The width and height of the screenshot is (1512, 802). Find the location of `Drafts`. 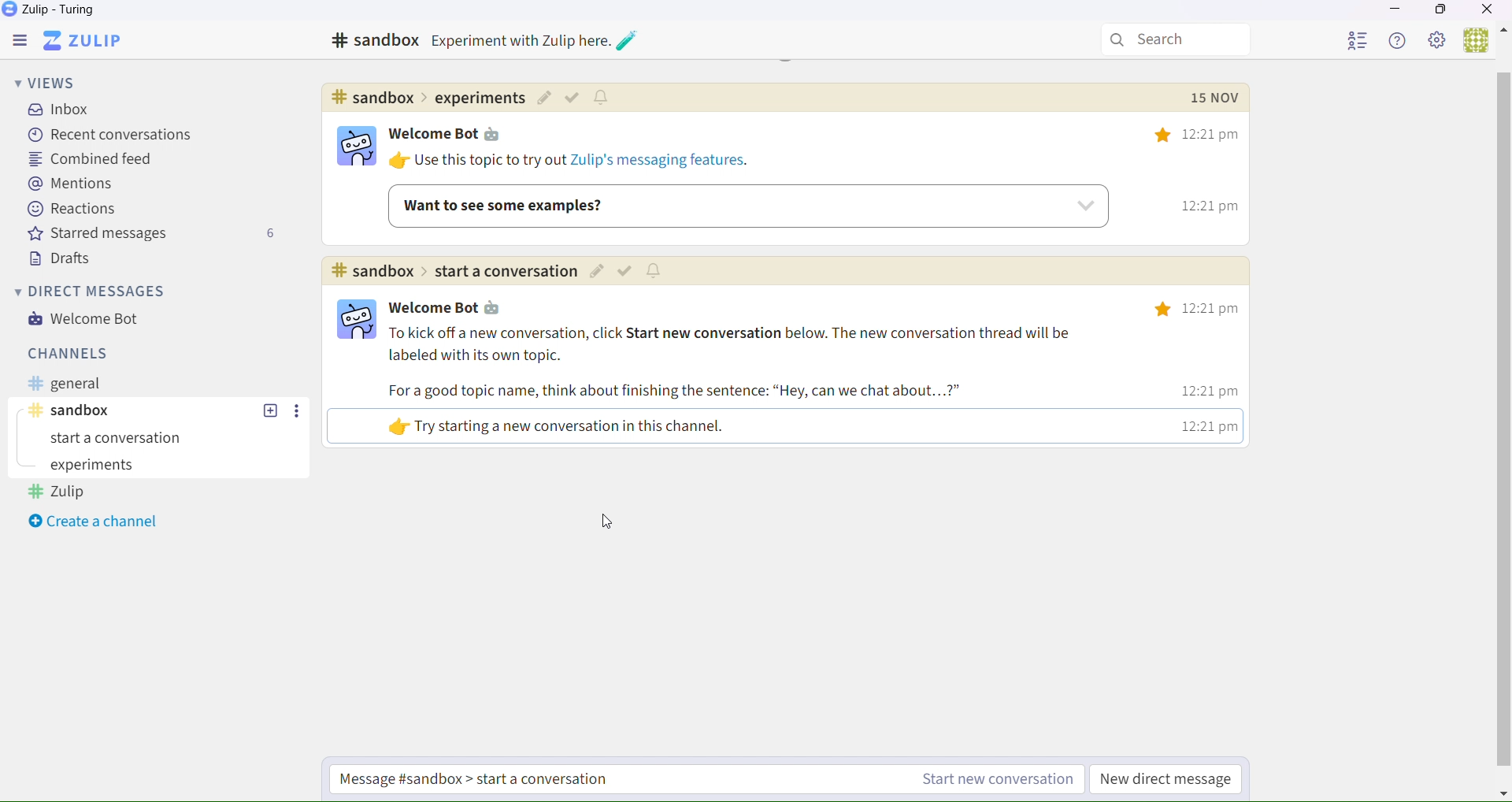

Drafts is located at coordinates (57, 258).